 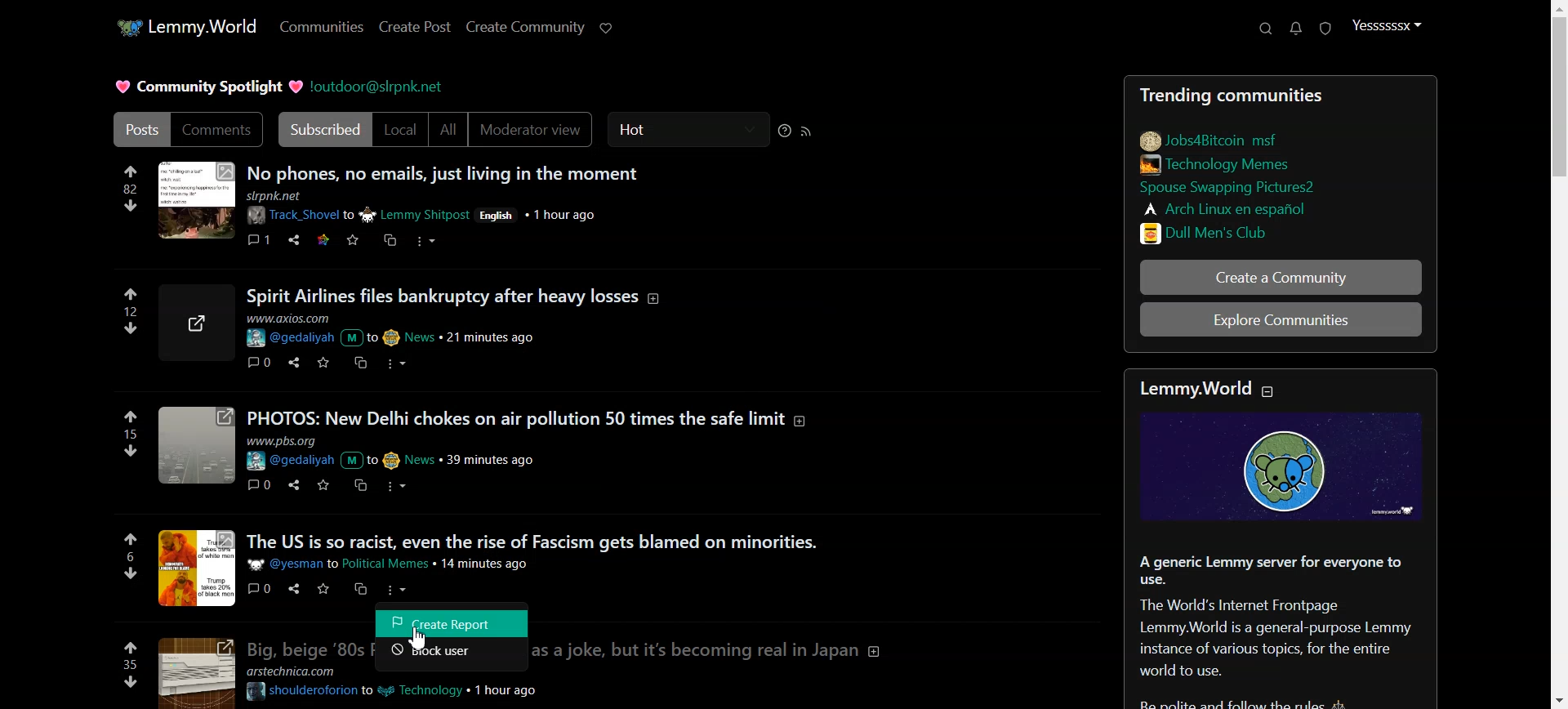 I want to click on image, so click(x=200, y=323).